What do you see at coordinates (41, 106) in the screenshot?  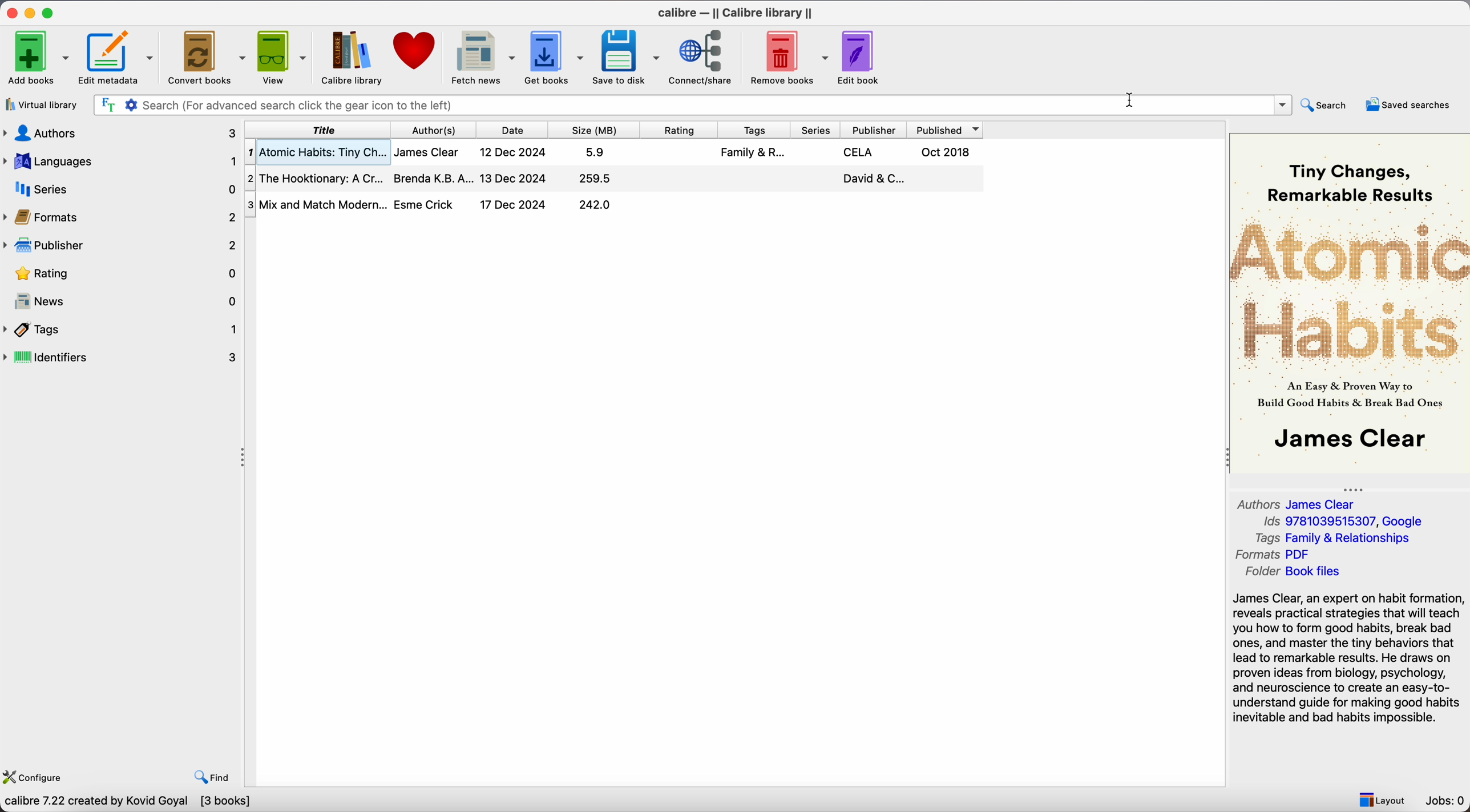 I see `virtual library` at bounding box center [41, 106].